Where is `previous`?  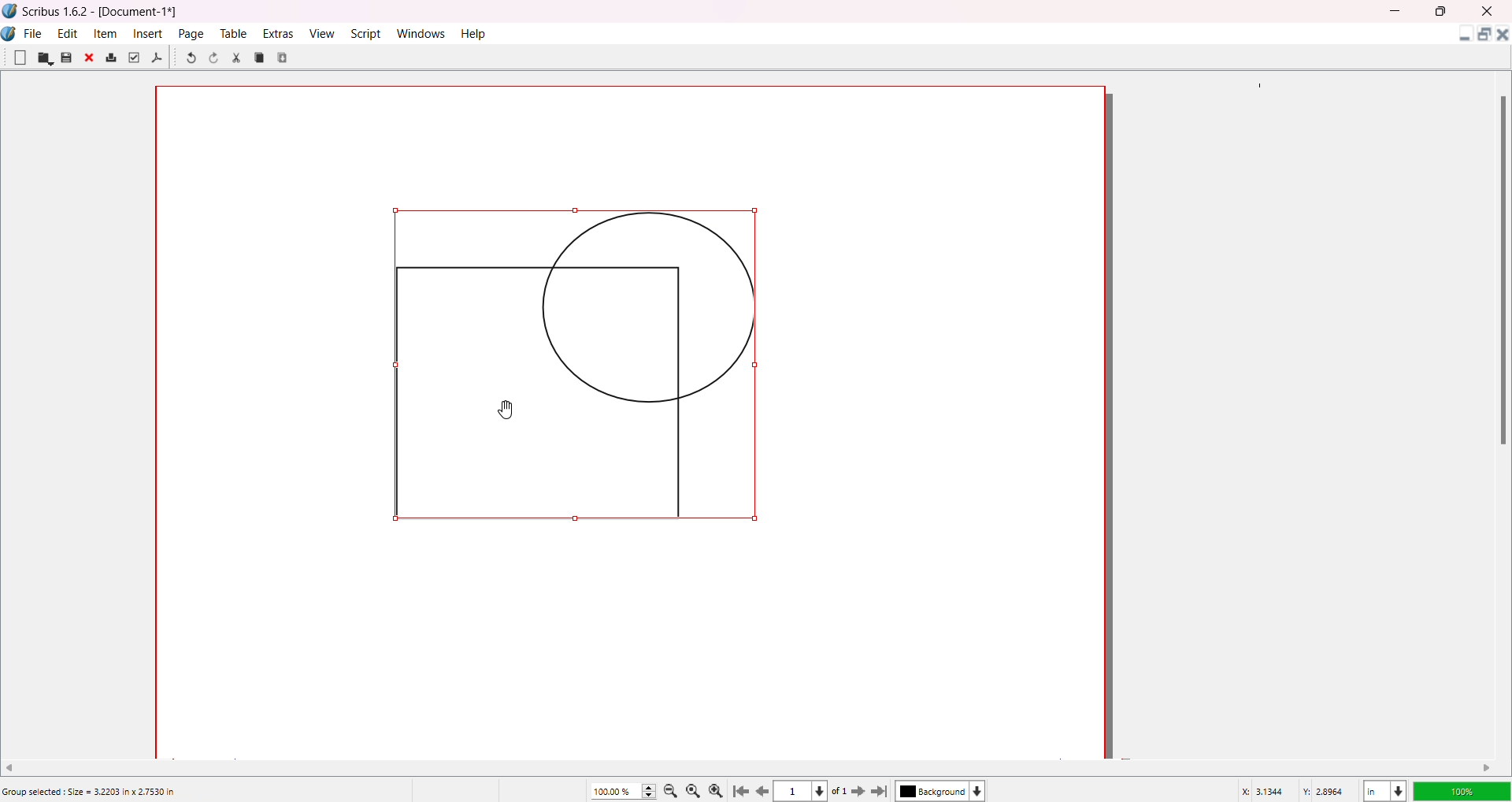 previous is located at coordinates (765, 793).